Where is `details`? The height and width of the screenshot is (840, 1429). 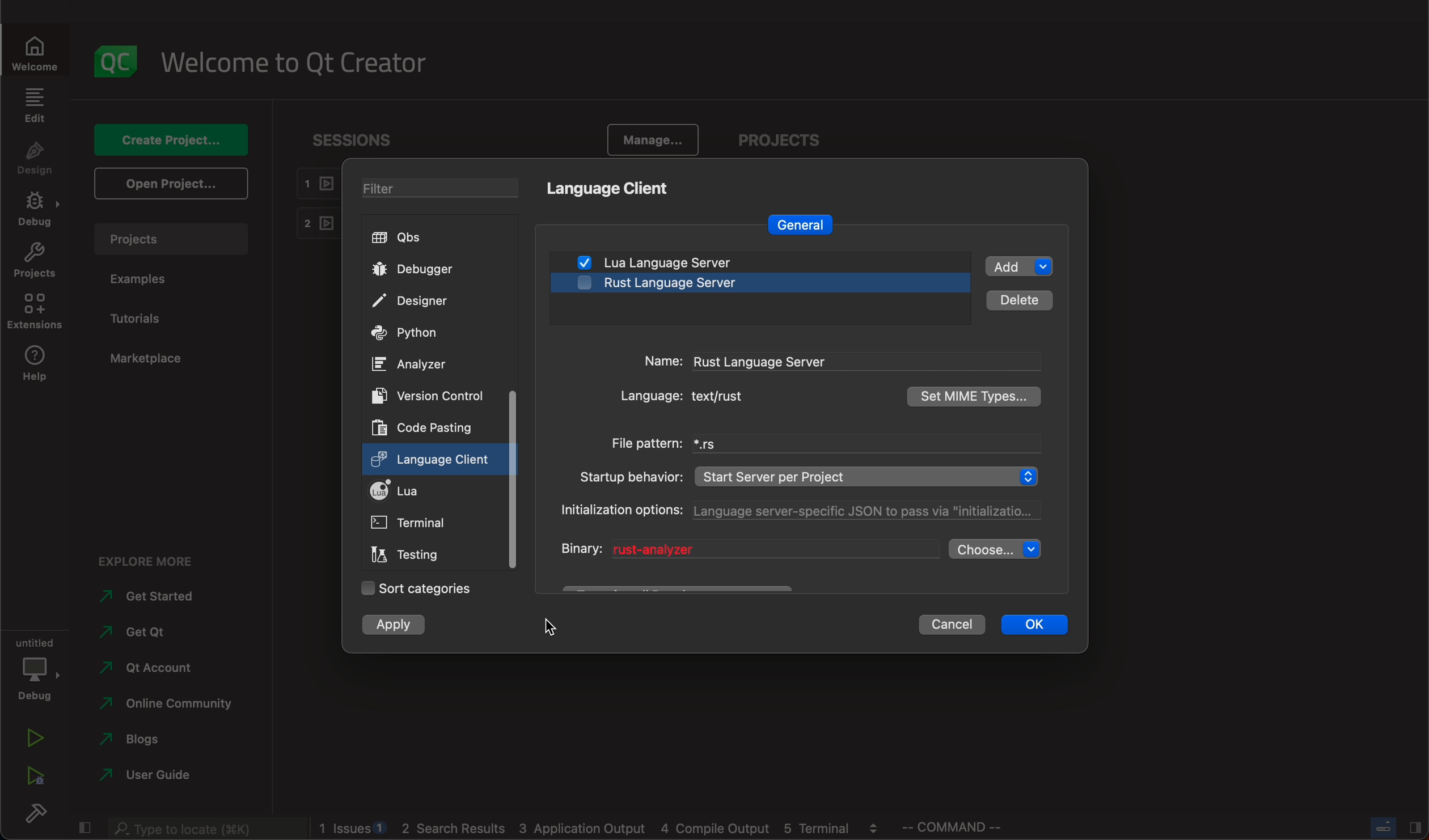 details is located at coordinates (1020, 302).